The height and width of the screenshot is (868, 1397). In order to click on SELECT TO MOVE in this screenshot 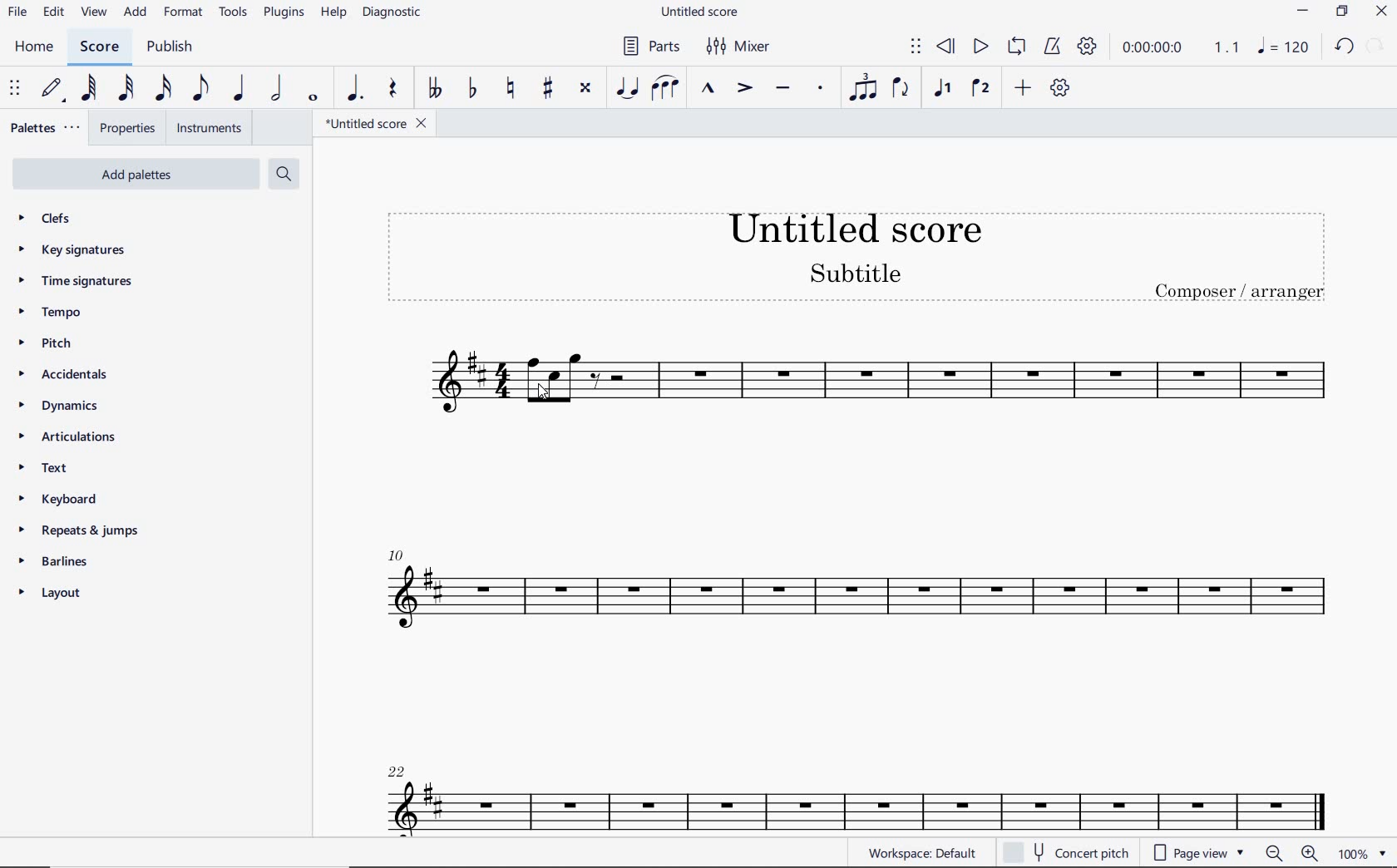, I will do `click(916, 49)`.